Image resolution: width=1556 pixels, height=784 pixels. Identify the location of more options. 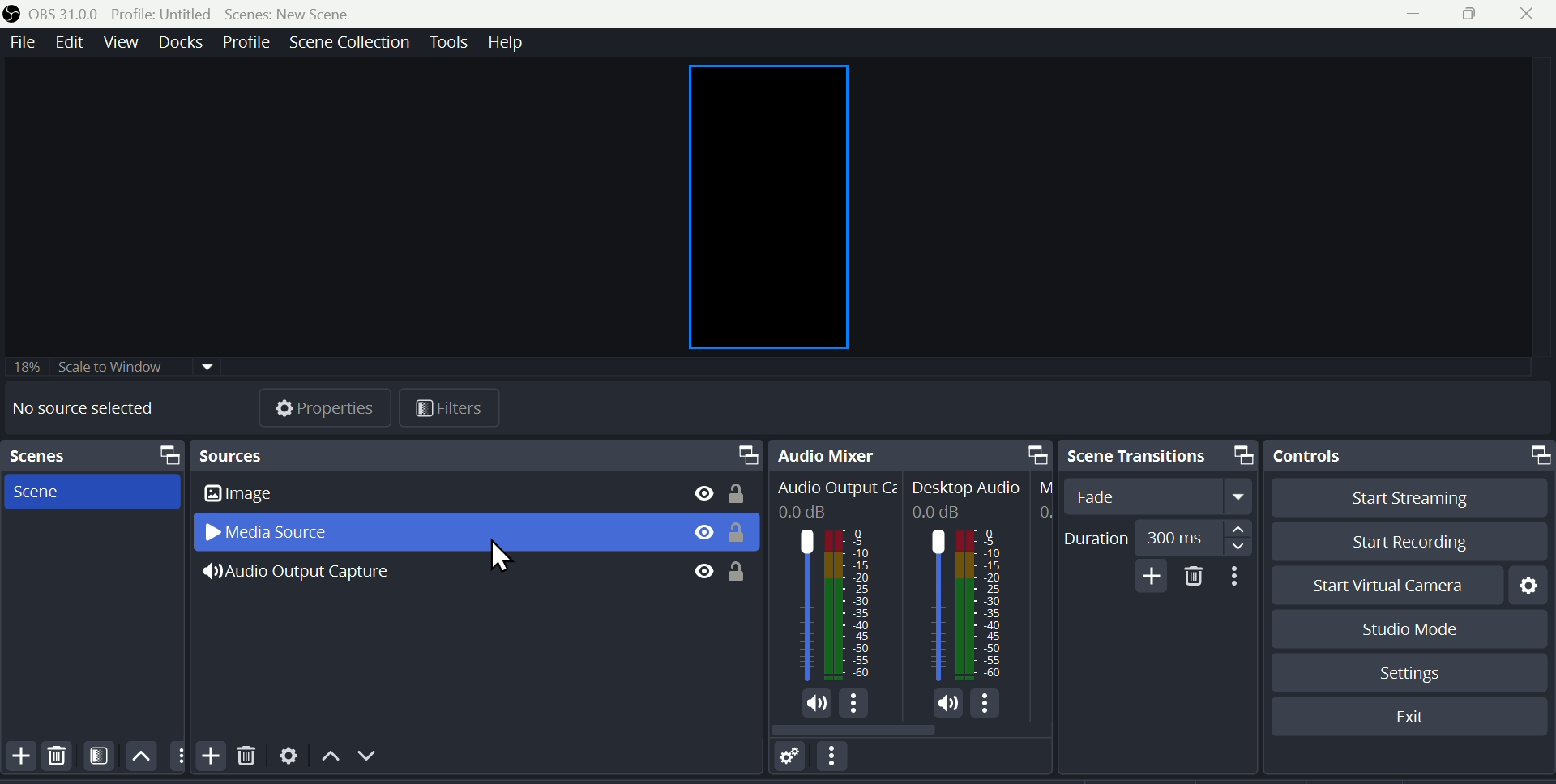
(177, 755).